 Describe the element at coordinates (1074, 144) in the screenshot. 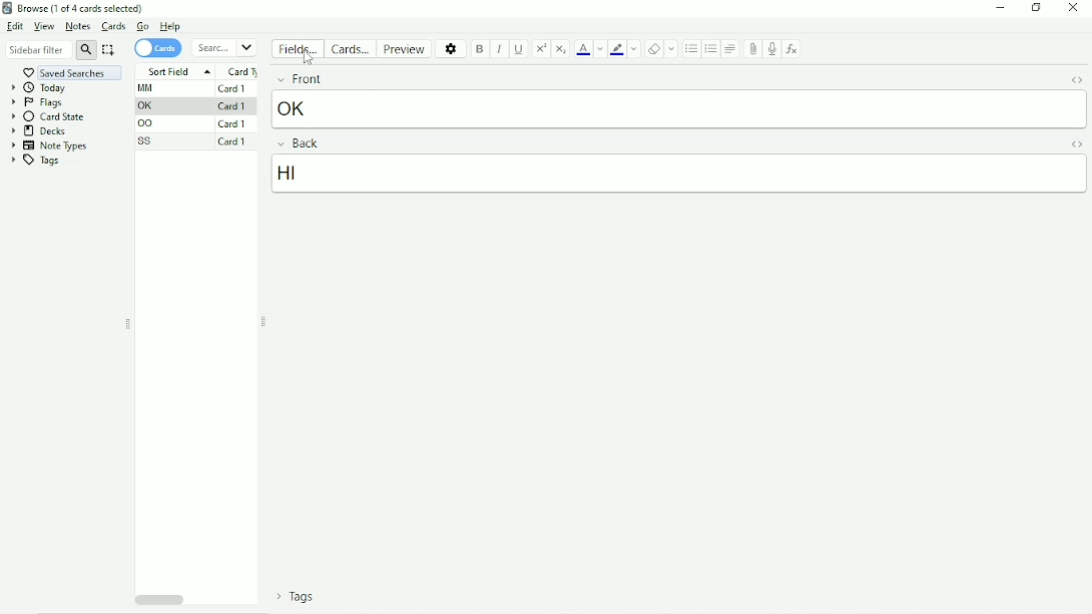

I see `Toggle HTML Editor` at that location.